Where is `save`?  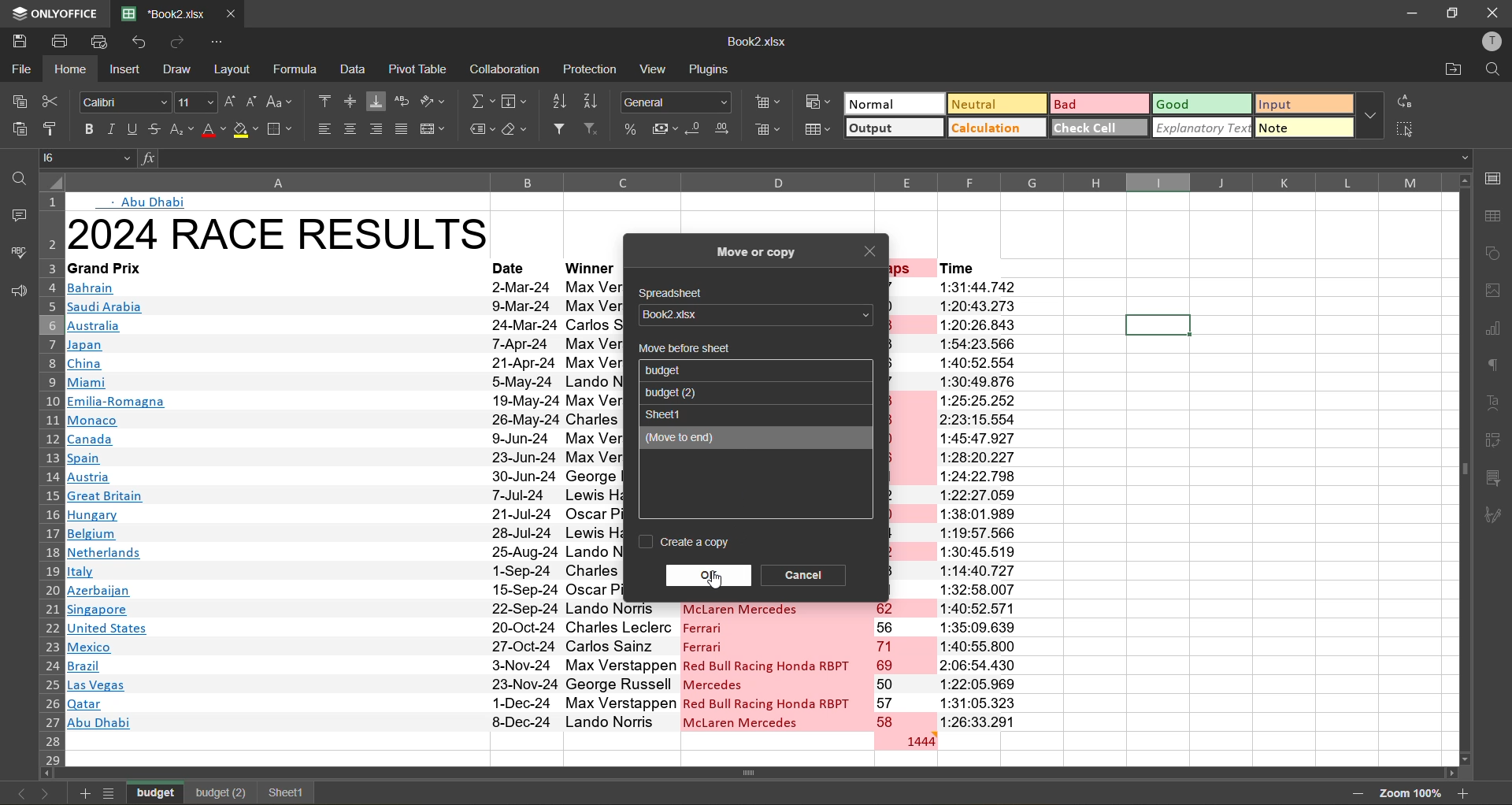
save is located at coordinates (18, 39).